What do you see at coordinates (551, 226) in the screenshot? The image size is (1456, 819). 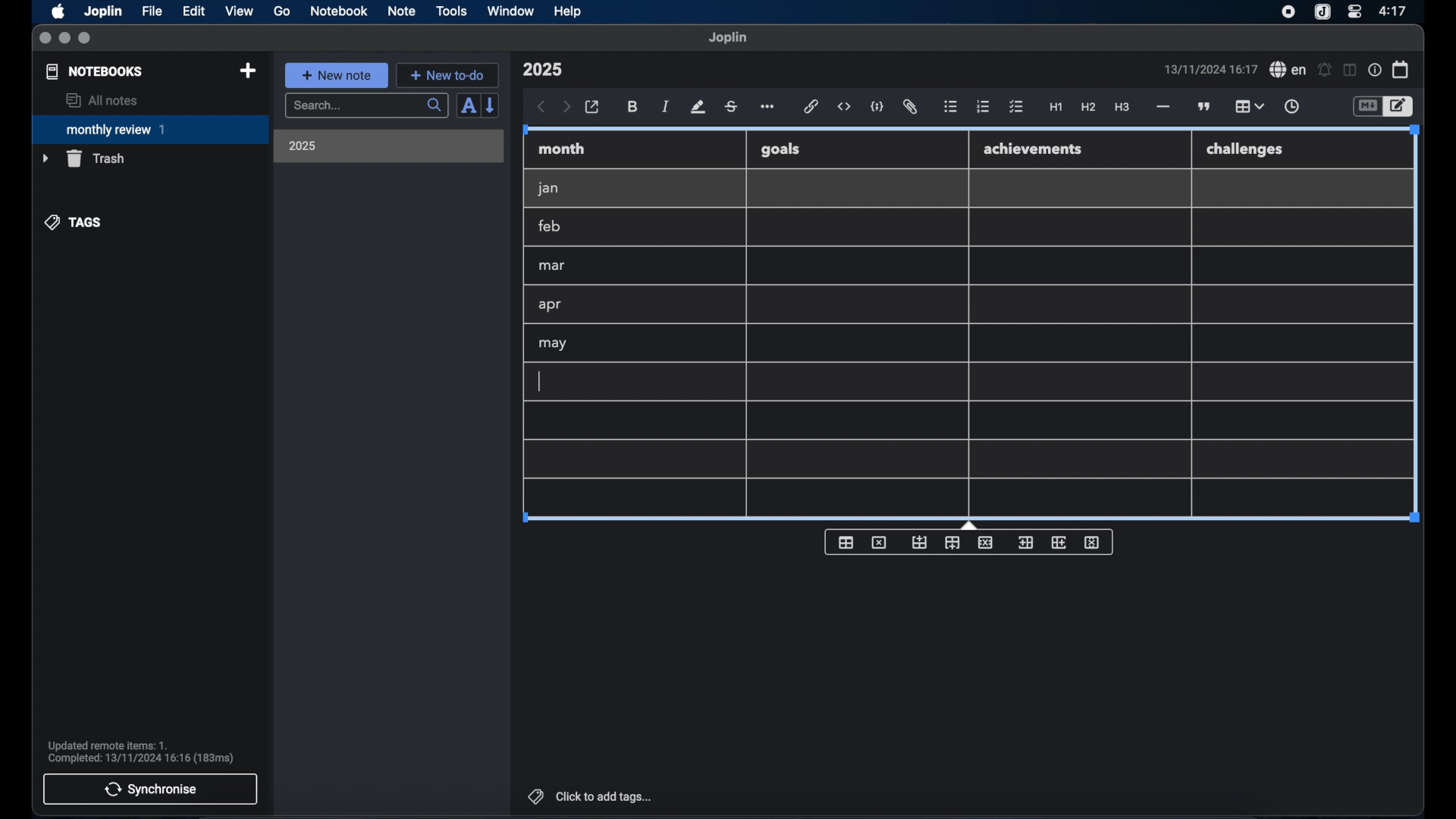 I see `feb` at bounding box center [551, 226].